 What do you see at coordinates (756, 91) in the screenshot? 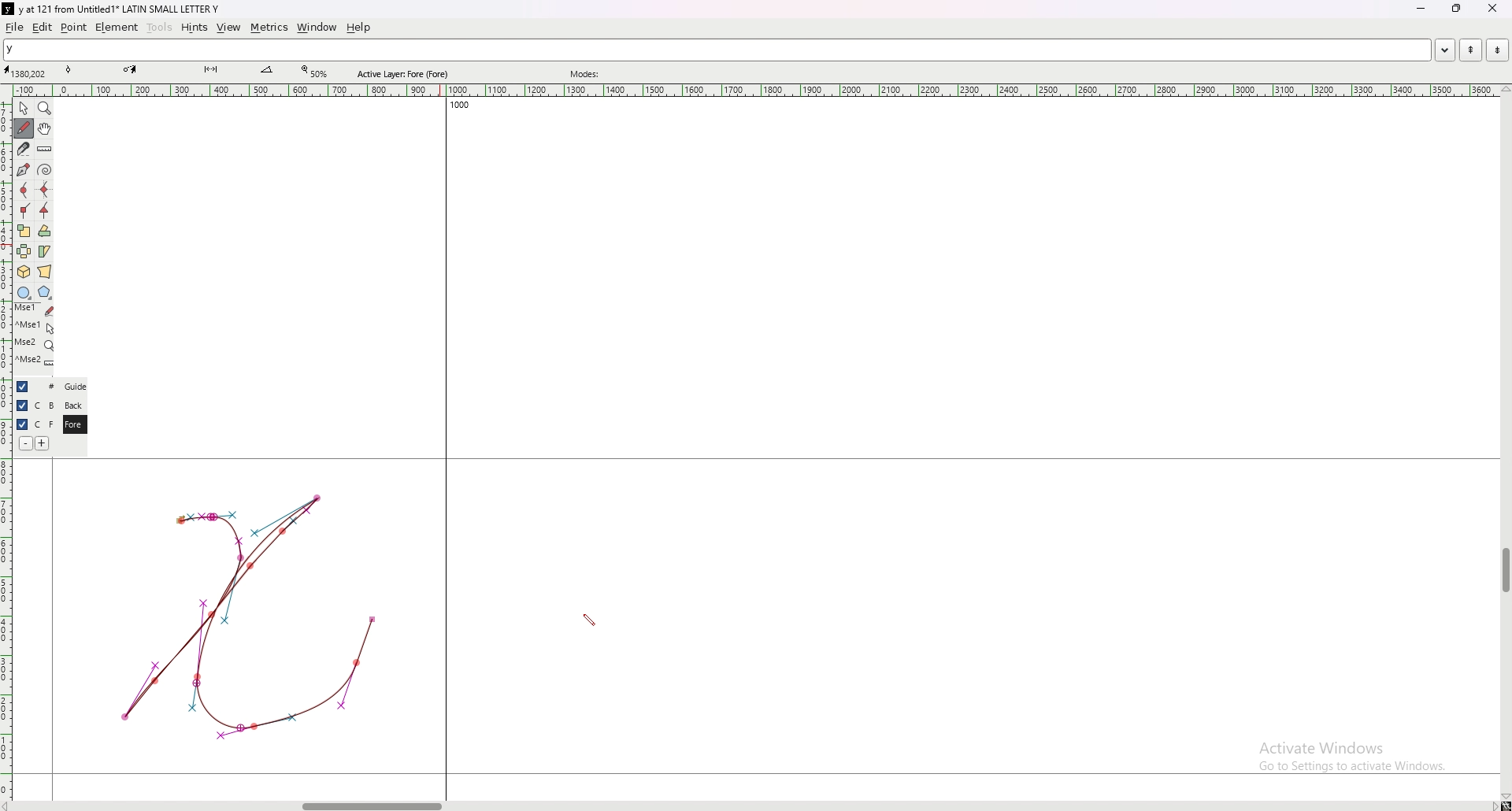
I see `horizontal scale` at bounding box center [756, 91].